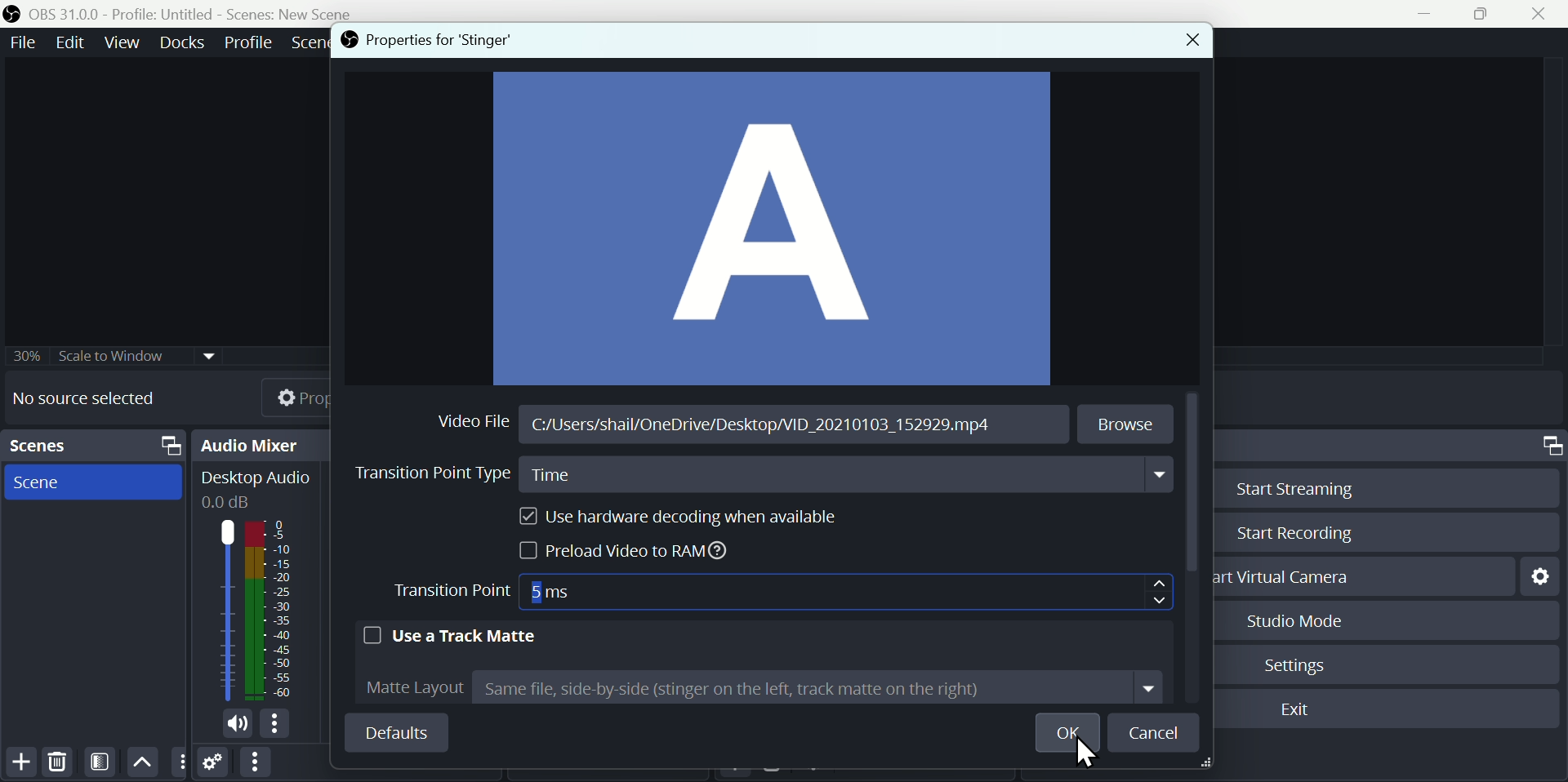  Describe the element at coordinates (1549, 446) in the screenshot. I see `Controls` at that location.